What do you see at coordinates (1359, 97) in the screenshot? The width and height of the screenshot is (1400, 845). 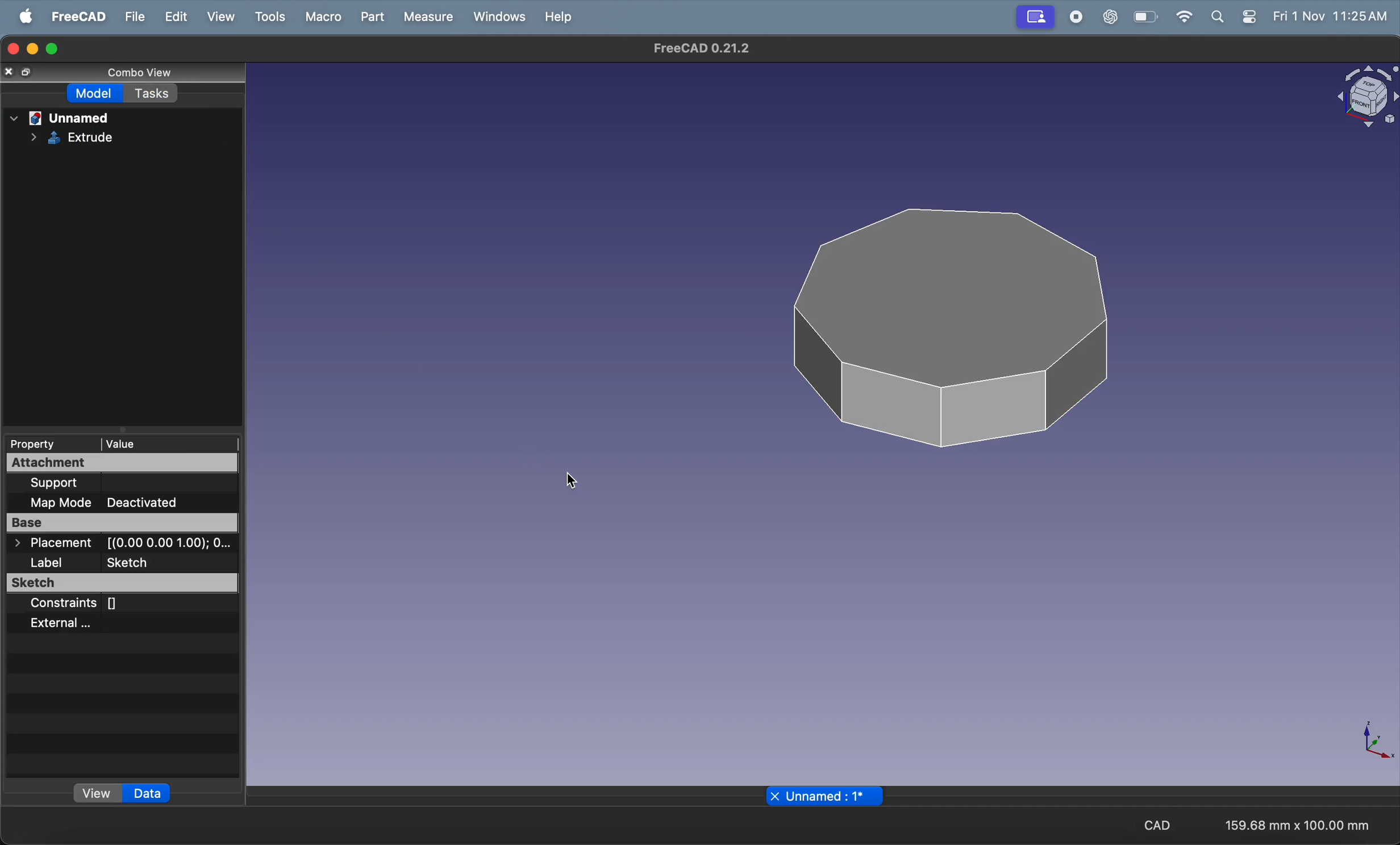 I see `object view` at bounding box center [1359, 97].